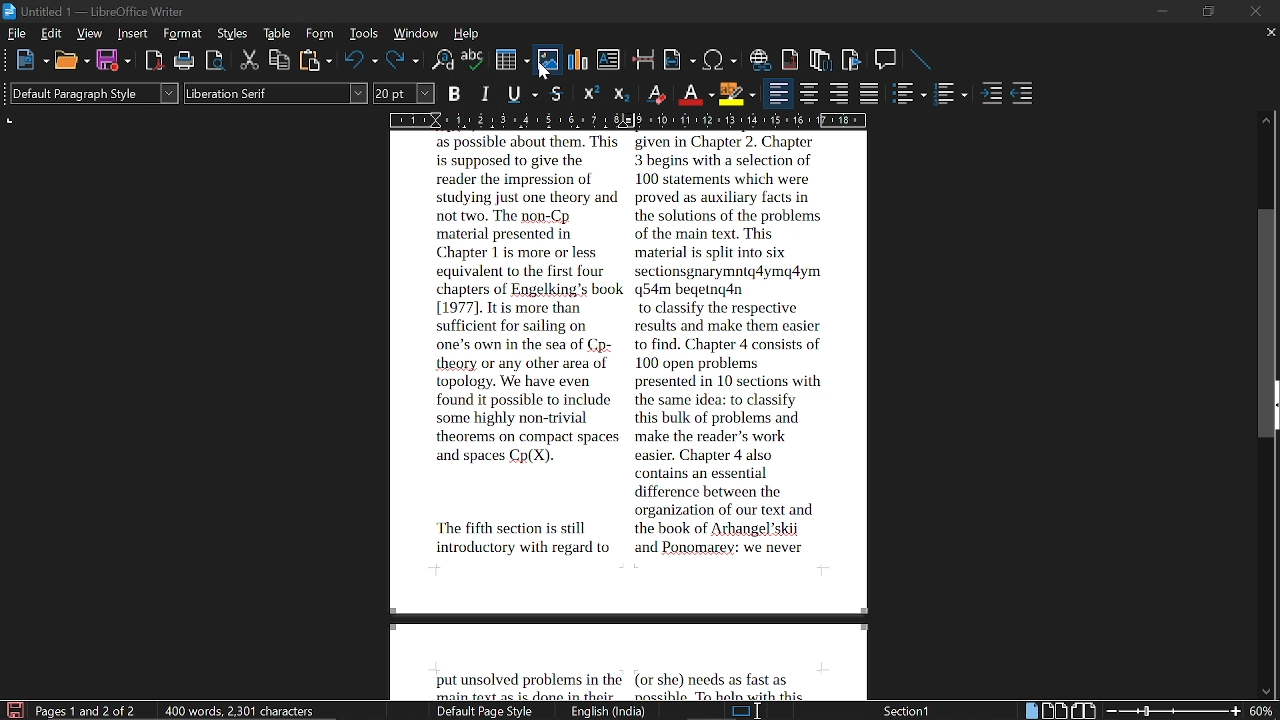 The image size is (1280, 720). What do you see at coordinates (314, 61) in the screenshot?
I see `paste` at bounding box center [314, 61].